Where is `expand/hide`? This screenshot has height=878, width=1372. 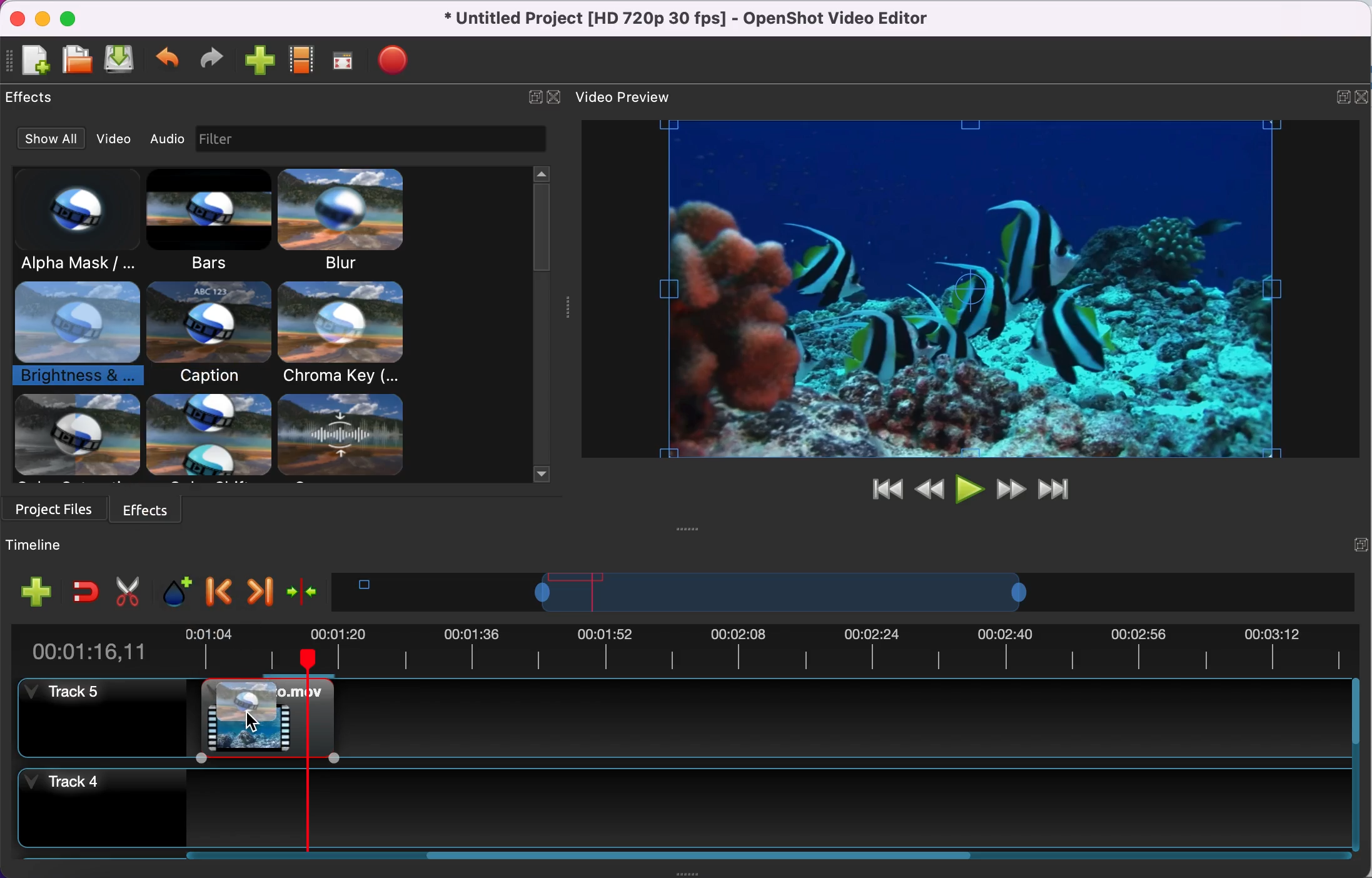
expand/hide is located at coordinates (531, 95).